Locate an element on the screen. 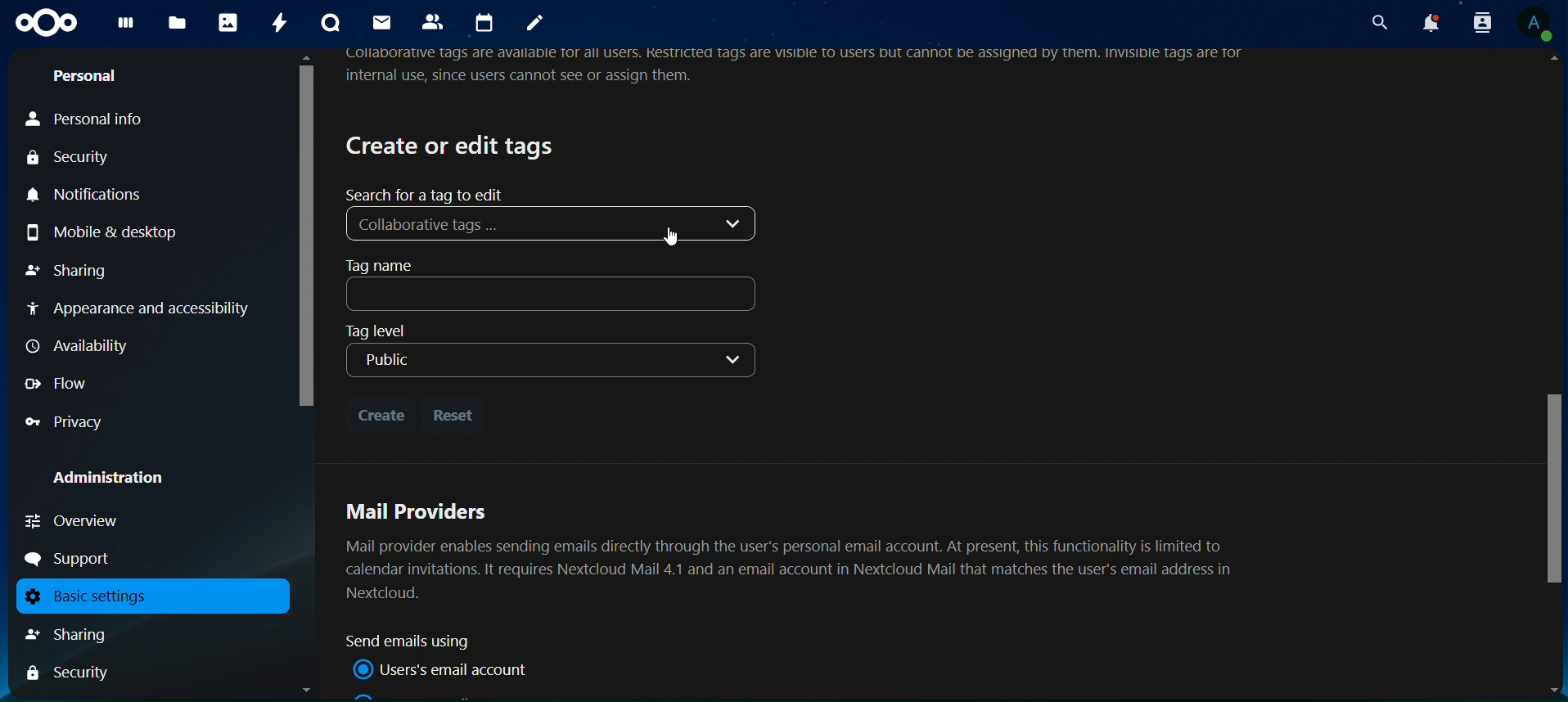 This screenshot has width=1568, height=702. sharing is located at coordinates (85, 634).